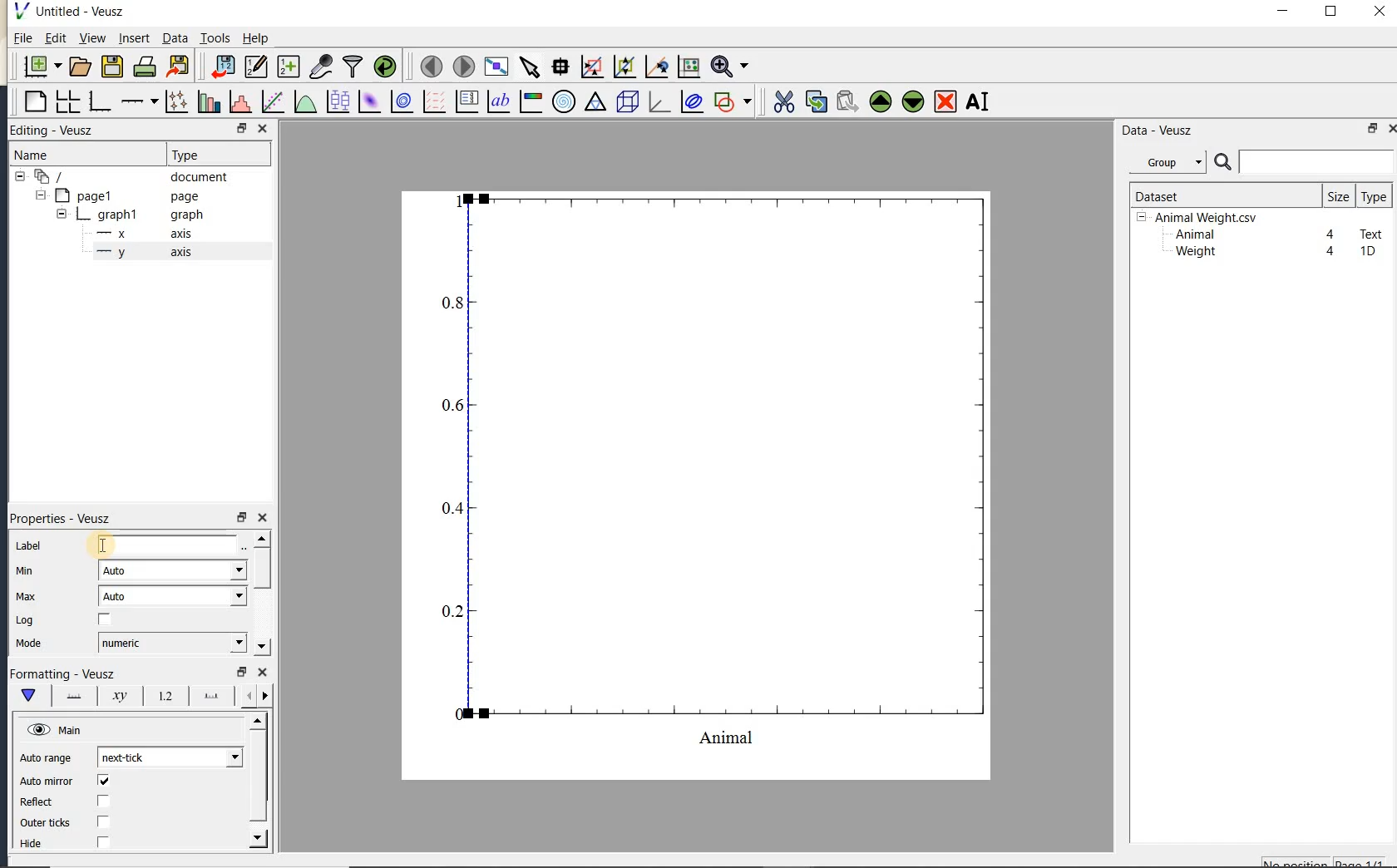 The height and width of the screenshot is (868, 1397). Describe the element at coordinates (122, 216) in the screenshot. I see `graph1` at that location.